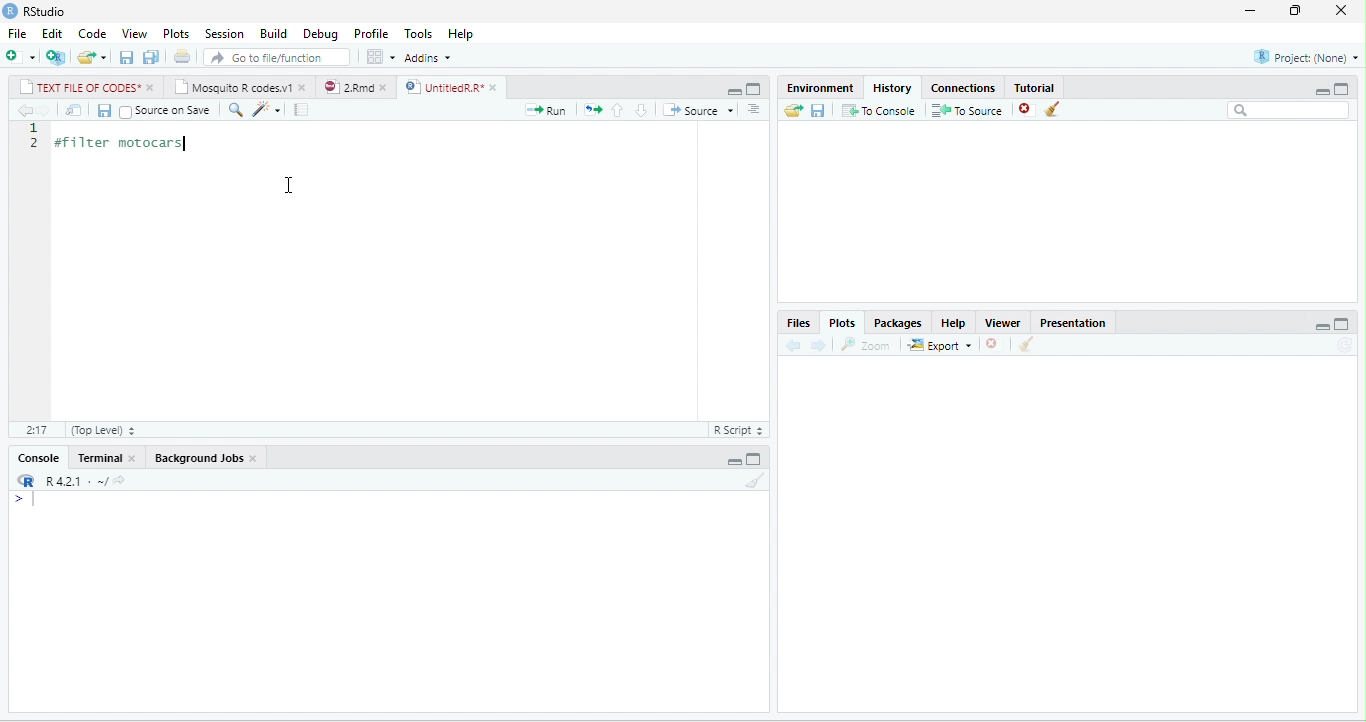 The image size is (1366, 722). Describe the element at coordinates (385, 88) in the screenshot. I see `close` at that location.